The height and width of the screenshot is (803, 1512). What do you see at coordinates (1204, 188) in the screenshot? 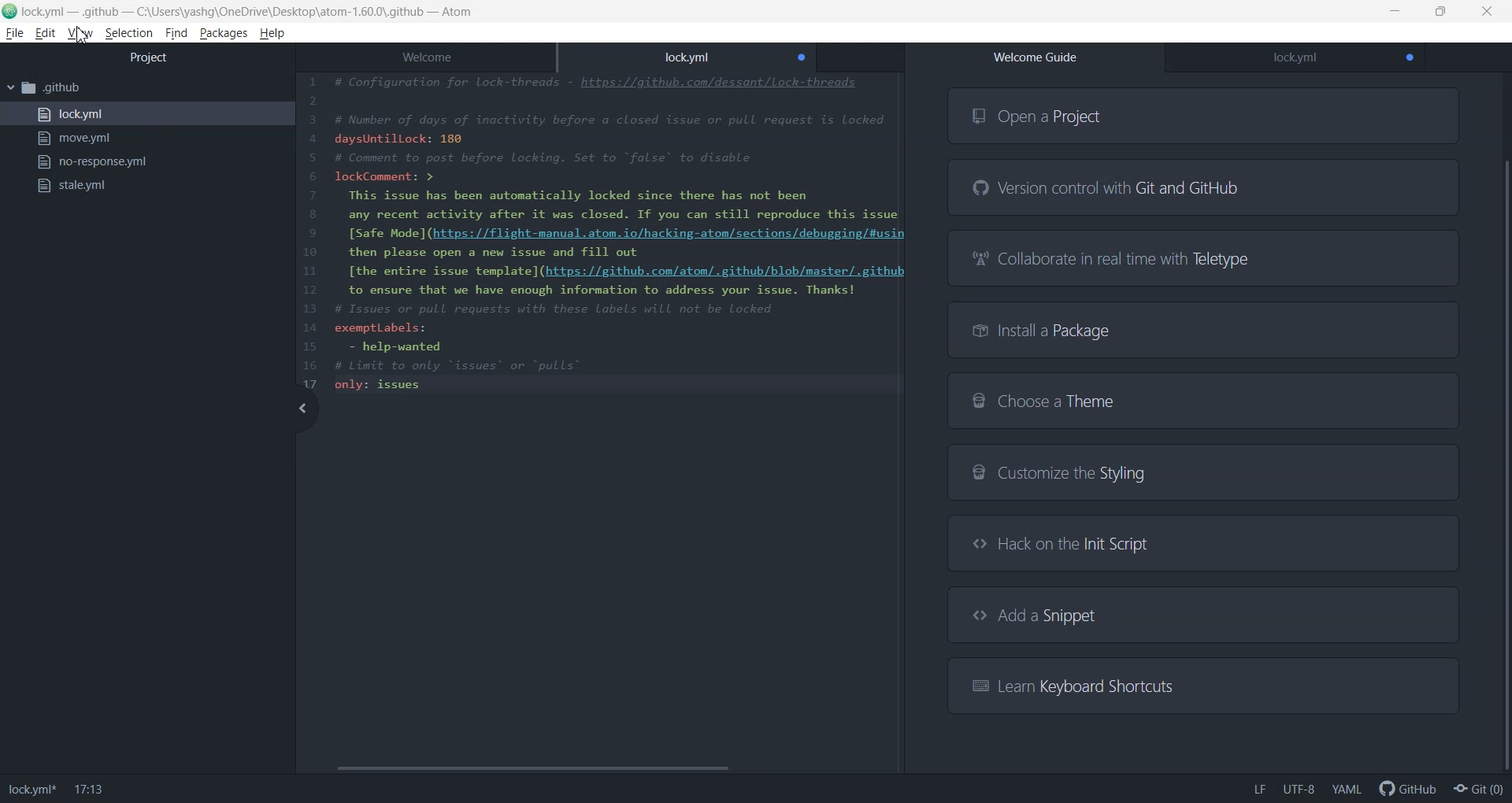
I see `Version control with Git and GitHub` at bounding box center [1204, 188].